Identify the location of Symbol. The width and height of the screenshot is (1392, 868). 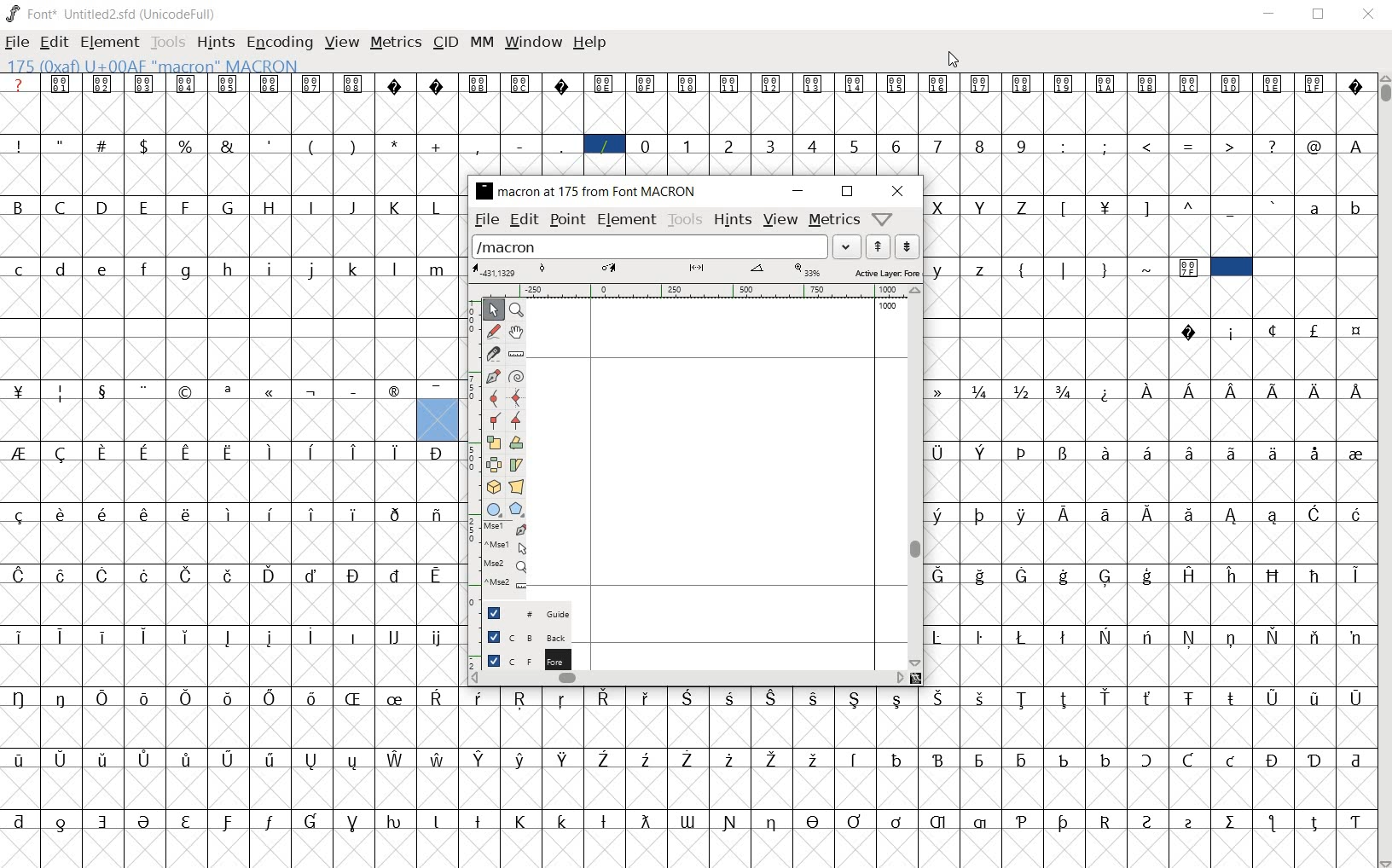
(1064, 85).